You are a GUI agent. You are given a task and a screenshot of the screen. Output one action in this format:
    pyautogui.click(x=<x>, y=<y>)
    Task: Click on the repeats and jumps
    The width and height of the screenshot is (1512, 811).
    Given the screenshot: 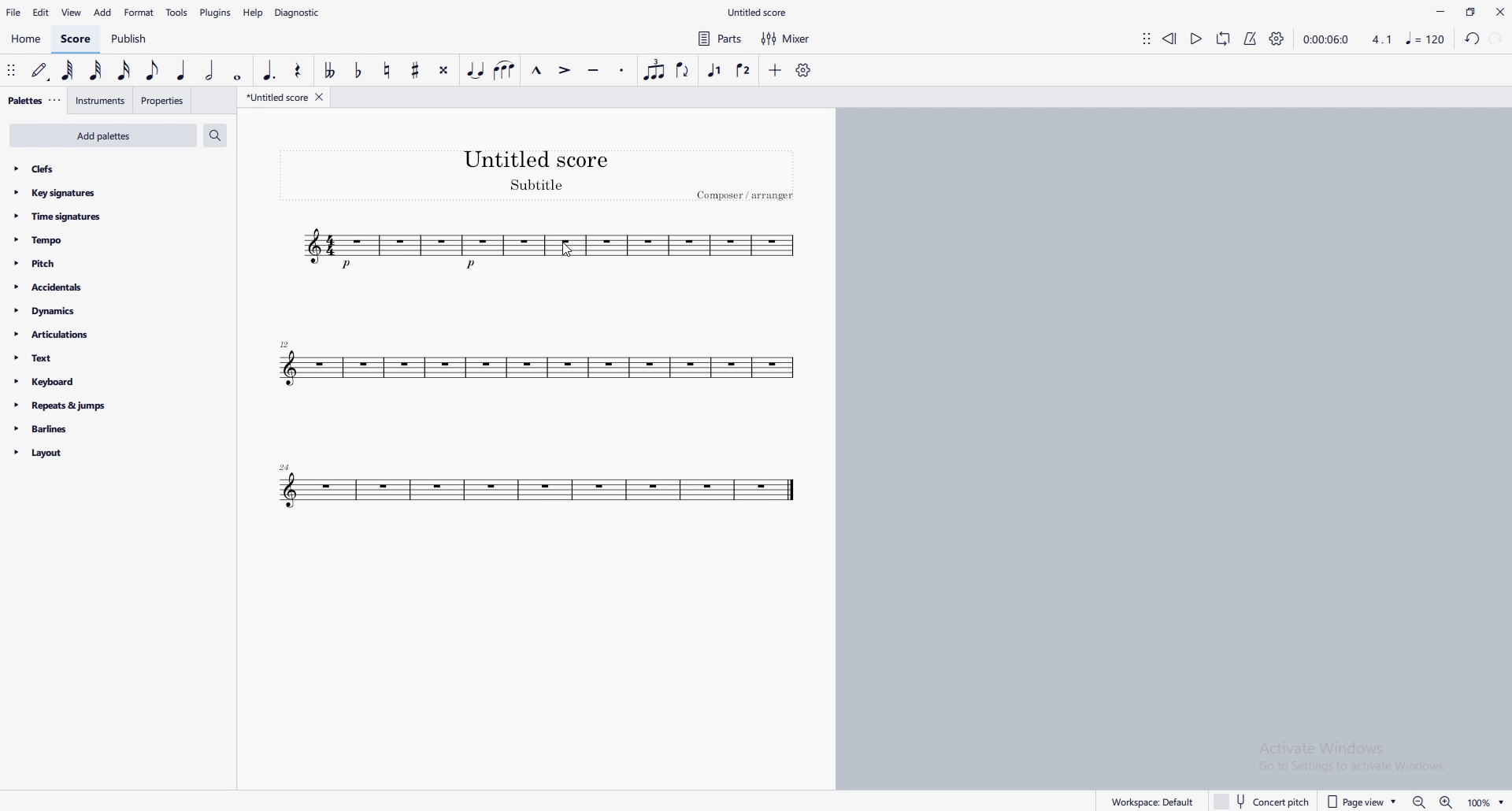 What is the action you would take?
    pyautogui.click(x=98, y=405)
    